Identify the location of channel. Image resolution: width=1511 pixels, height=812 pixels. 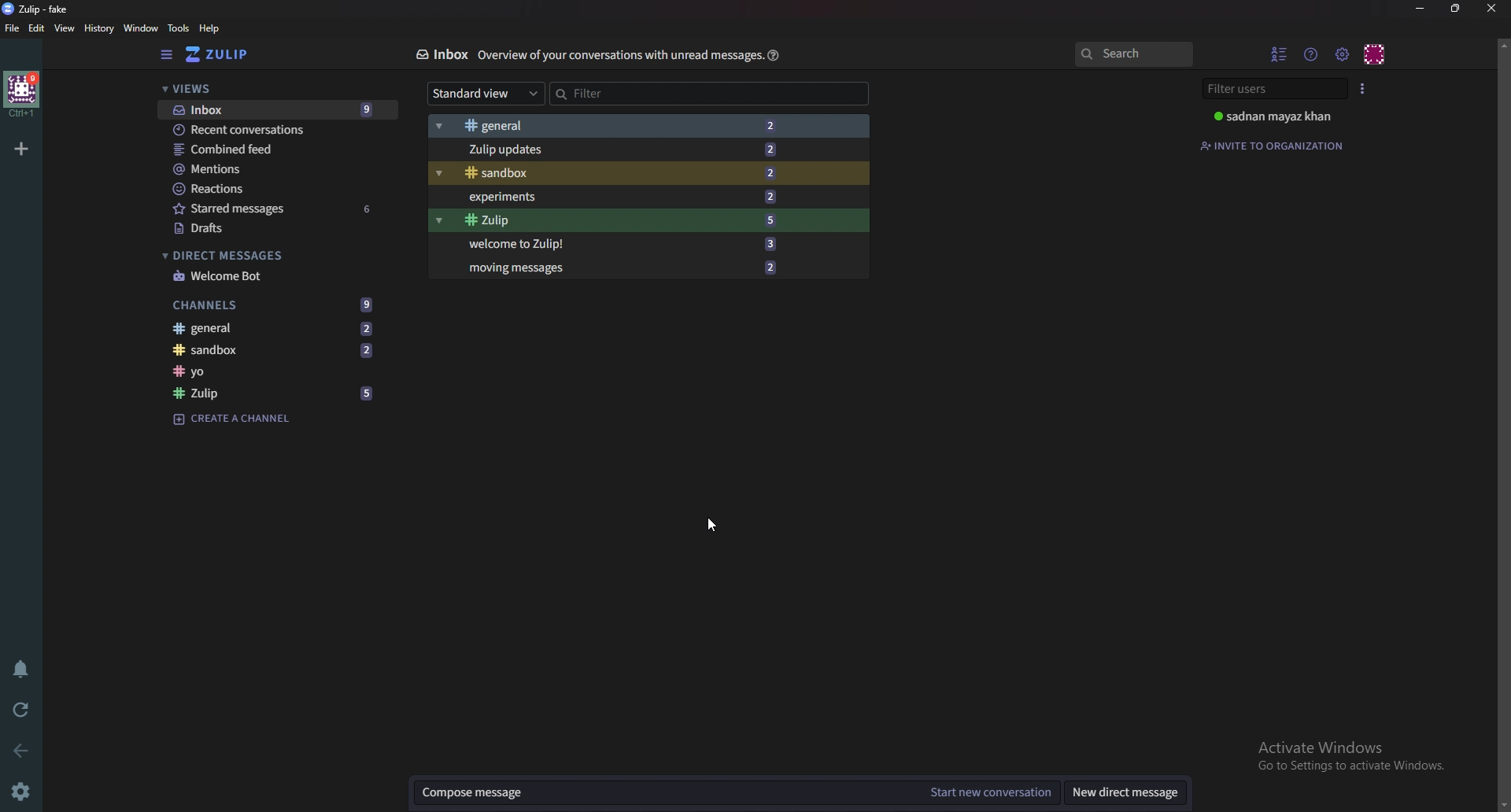
(276, 373).